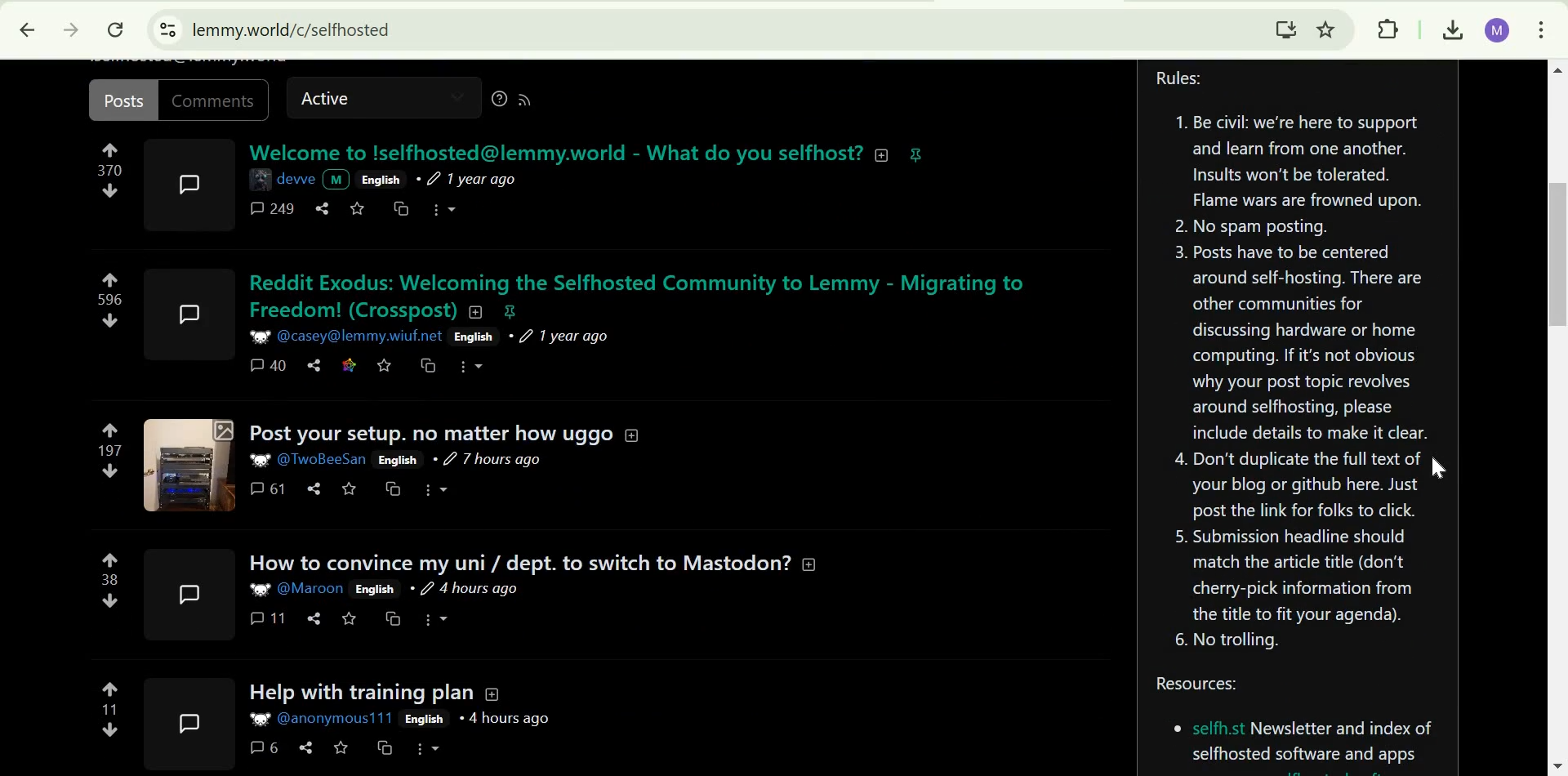  I want to click on collapse, so click(812, 562).